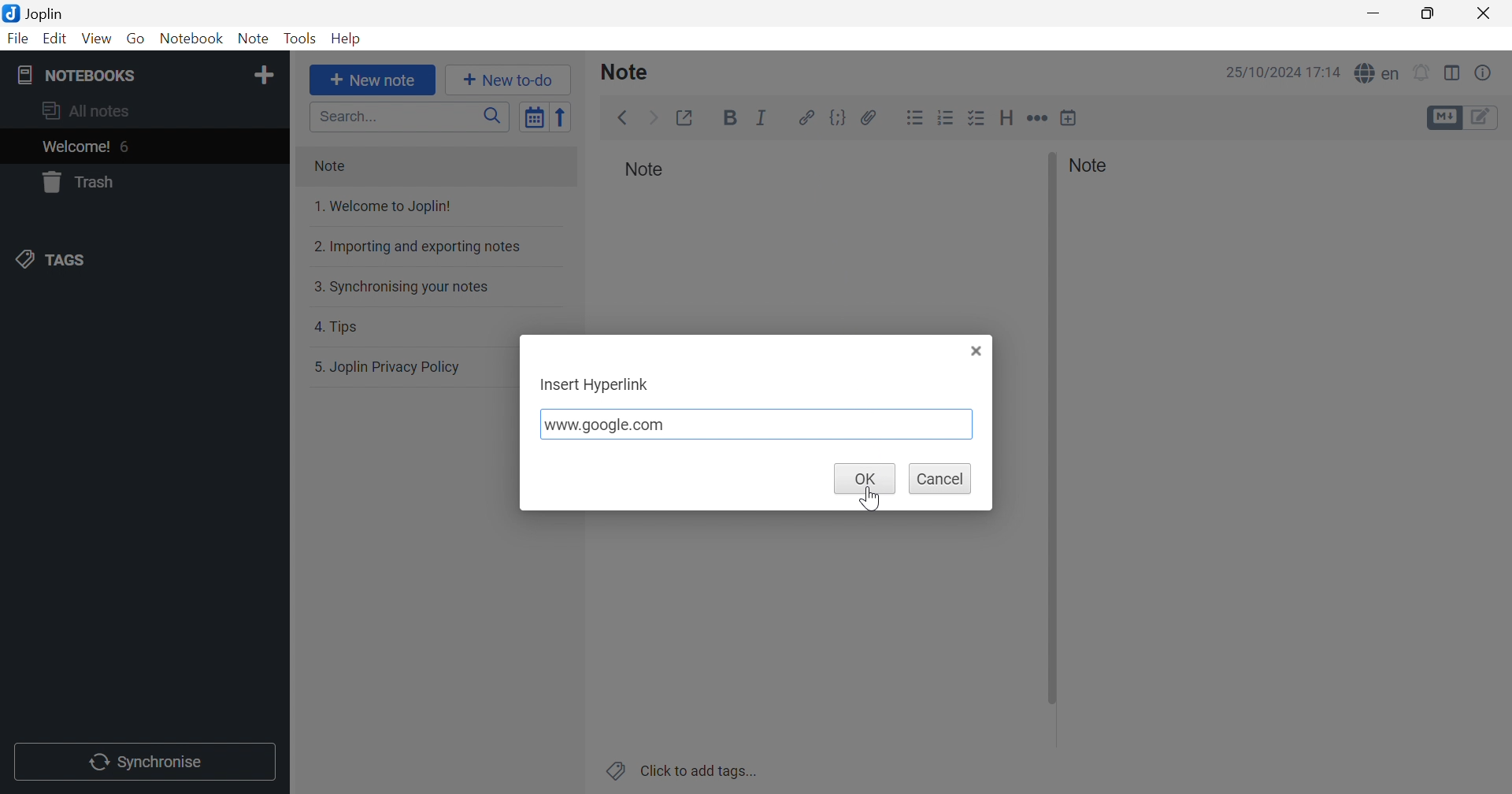  What do you see at coordinates (946, 117) in the screenshot?
I see `Numbered List` at bounding box center [946, 117].